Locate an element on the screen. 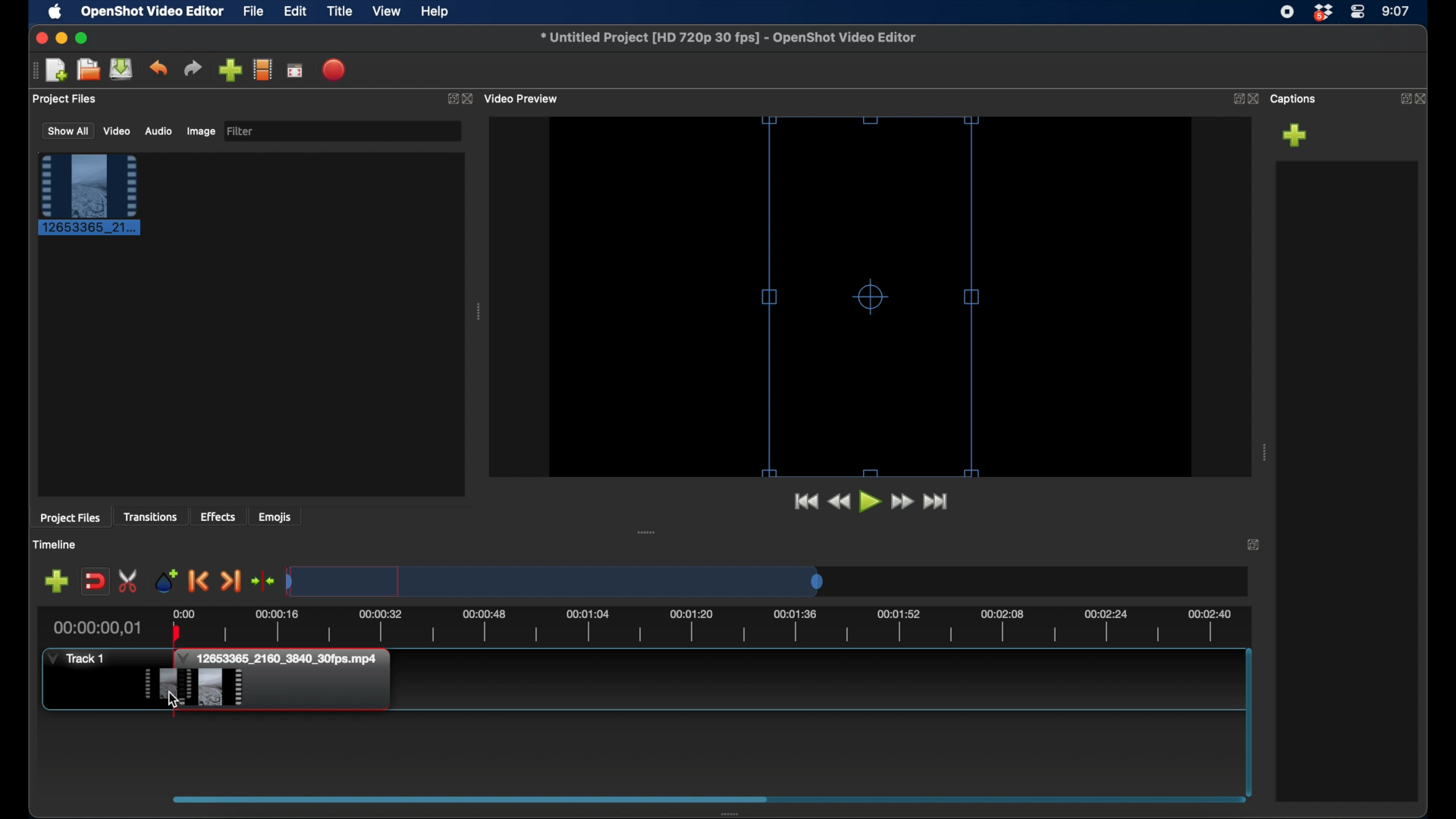 This screenshot has width=1456, height=819. undo is located at coordinates (159, 67).